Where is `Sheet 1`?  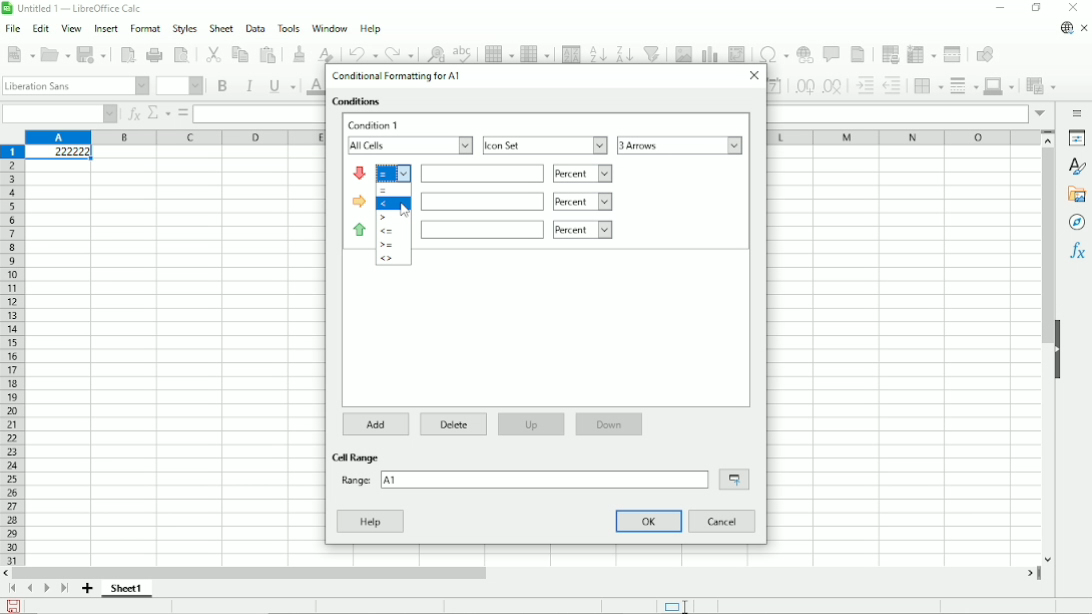
Sheet 1 is located at coordinates (128, 588).